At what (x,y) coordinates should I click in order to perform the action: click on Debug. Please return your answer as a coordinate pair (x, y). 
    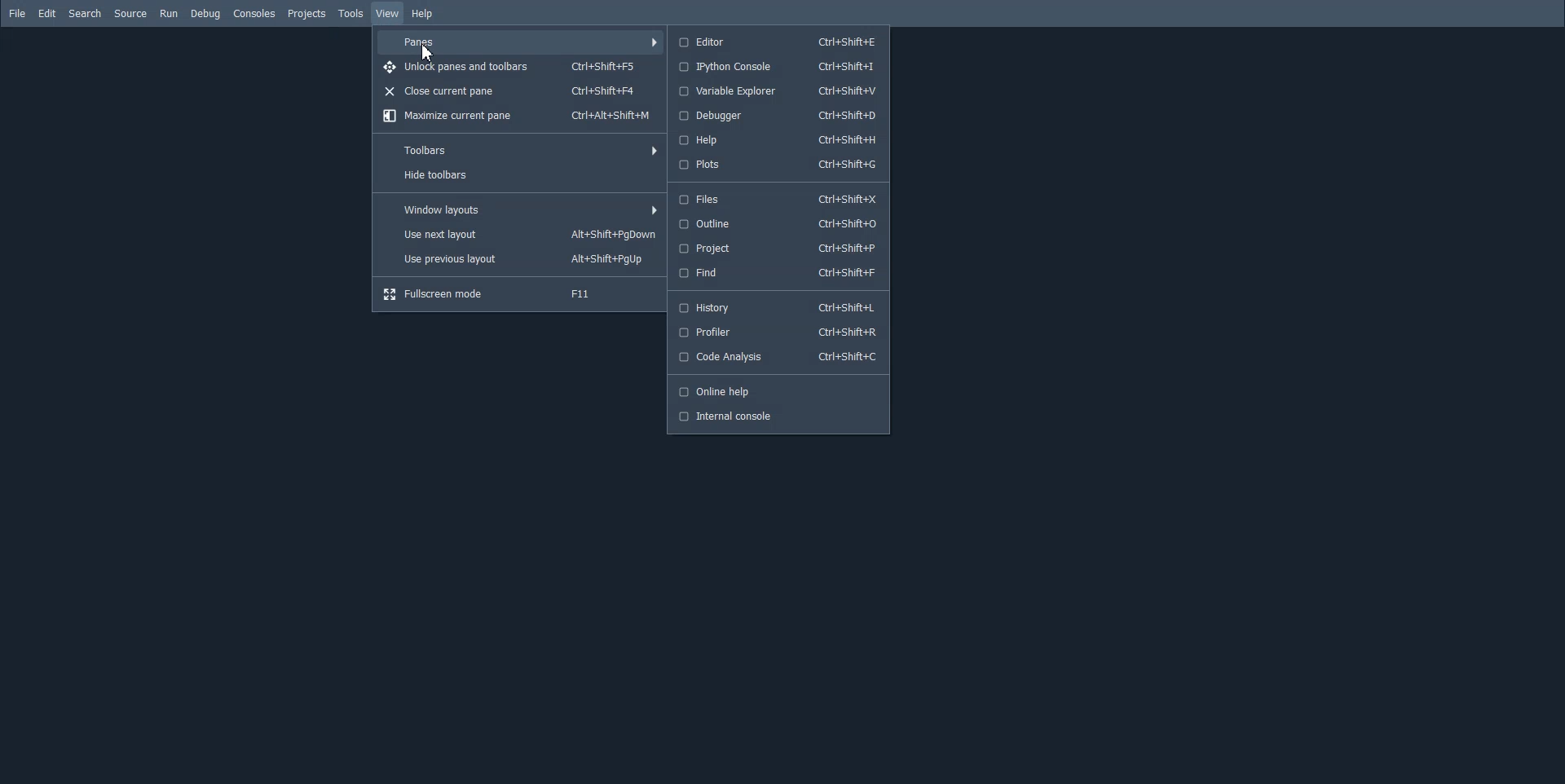
    Looking at the image, I should click on (205, 13).